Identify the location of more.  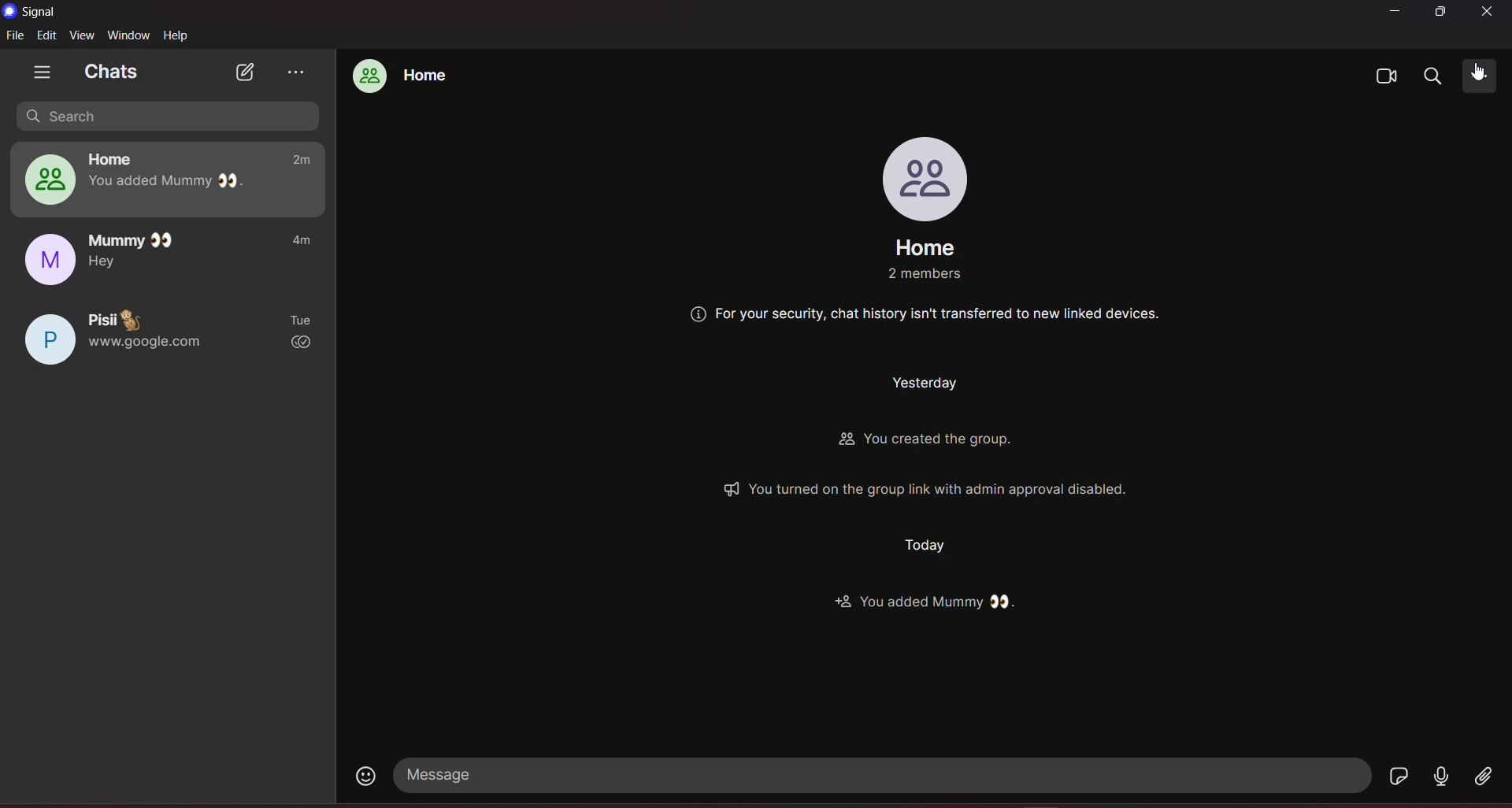
(1484, 75).